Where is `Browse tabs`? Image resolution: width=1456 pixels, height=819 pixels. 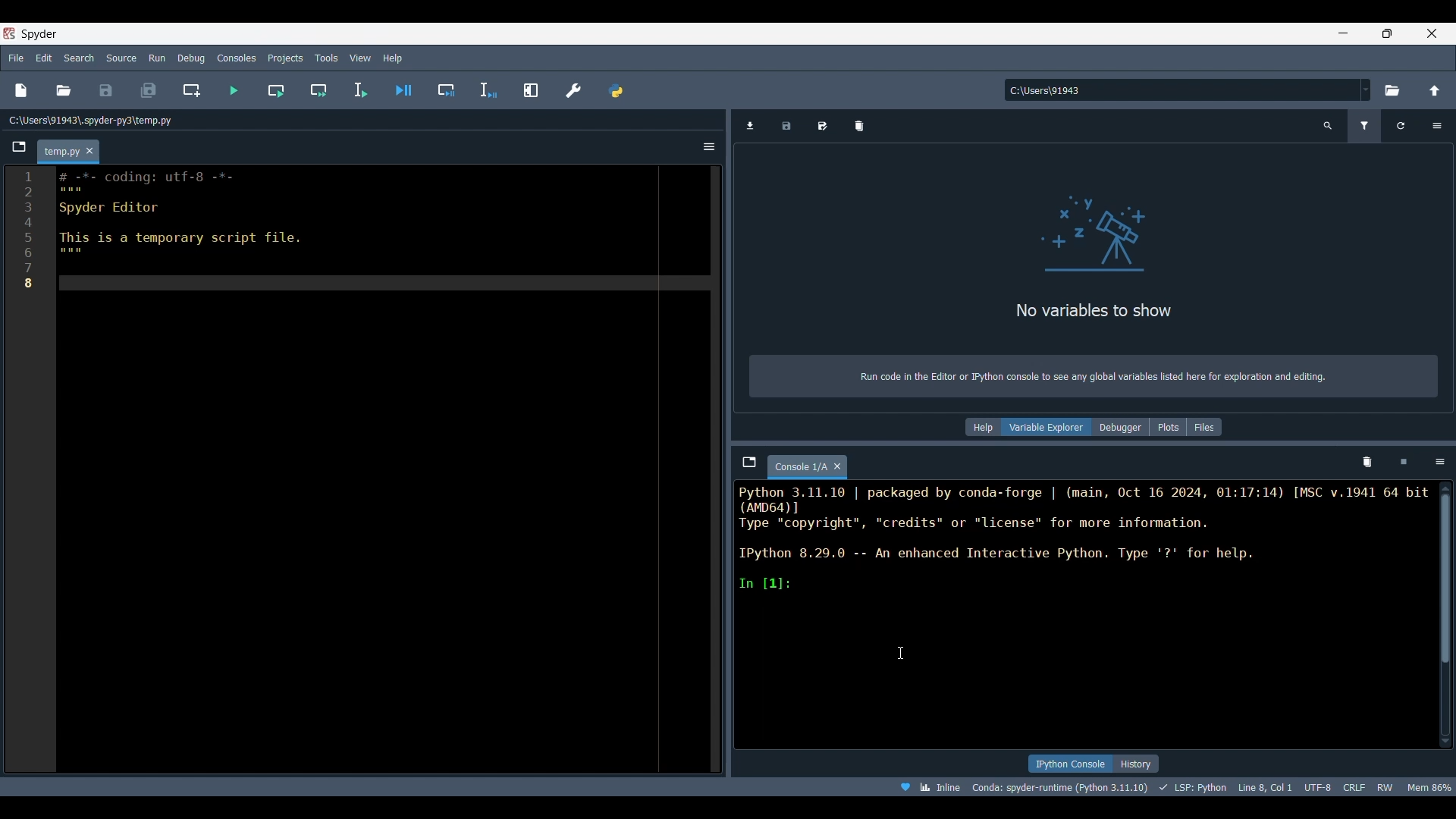
Browse tabs is located at coordinates (750, 462).